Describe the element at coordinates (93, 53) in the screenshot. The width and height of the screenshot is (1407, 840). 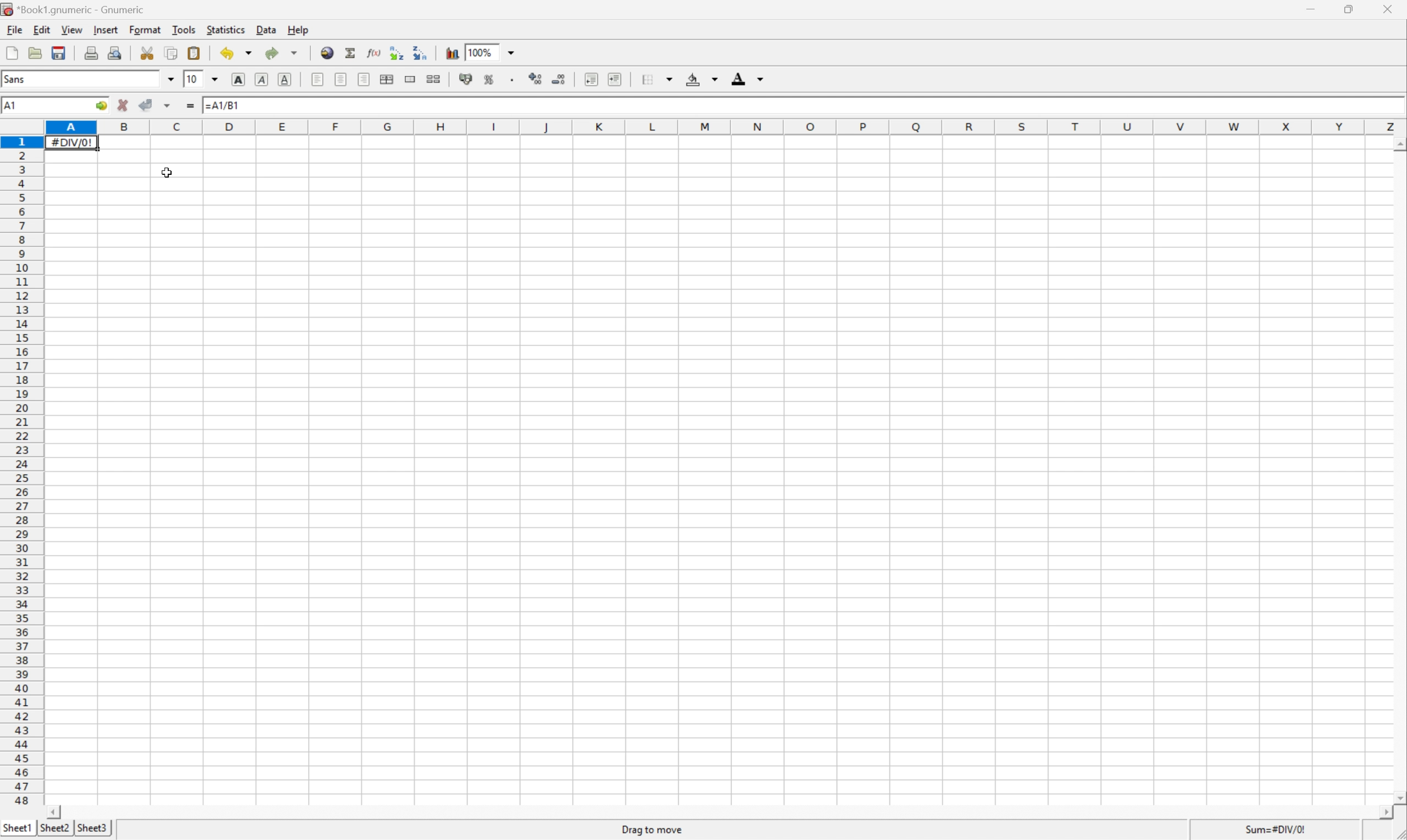
I see `Print the current file` at that location.